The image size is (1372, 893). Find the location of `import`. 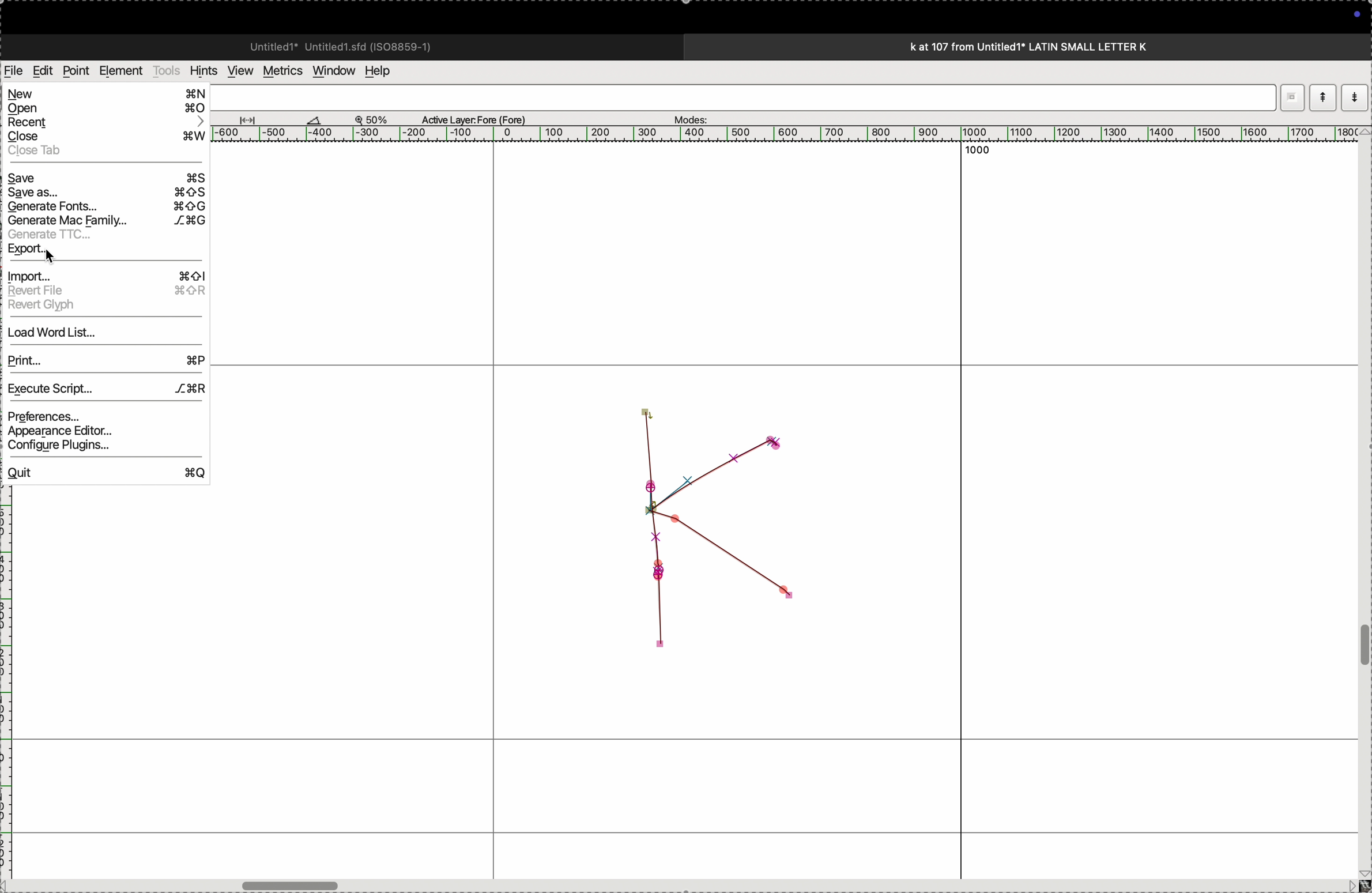

import is located at coordinates (105, 274).